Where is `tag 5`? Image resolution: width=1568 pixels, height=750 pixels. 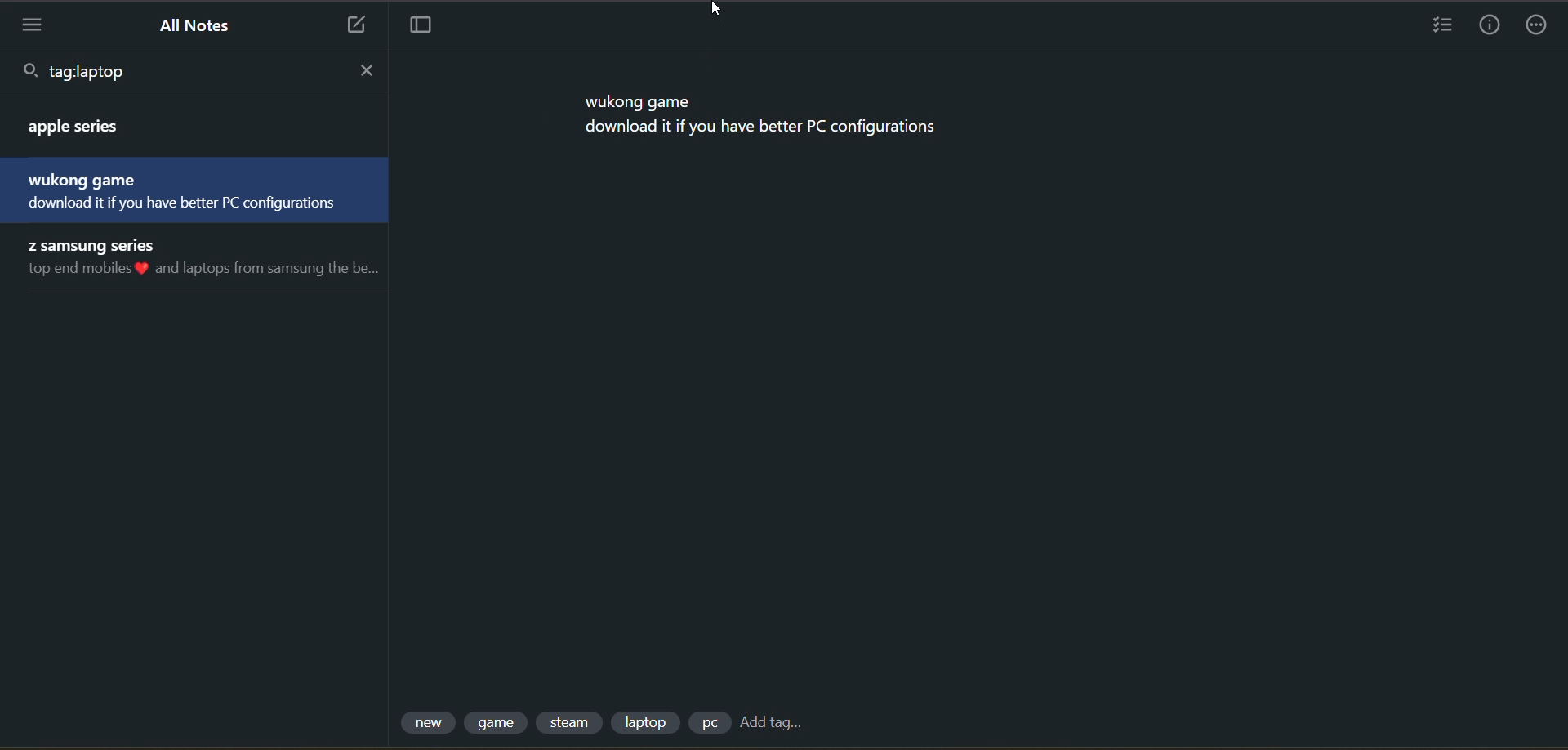
tag 5 is located at coordinates (710, 723).